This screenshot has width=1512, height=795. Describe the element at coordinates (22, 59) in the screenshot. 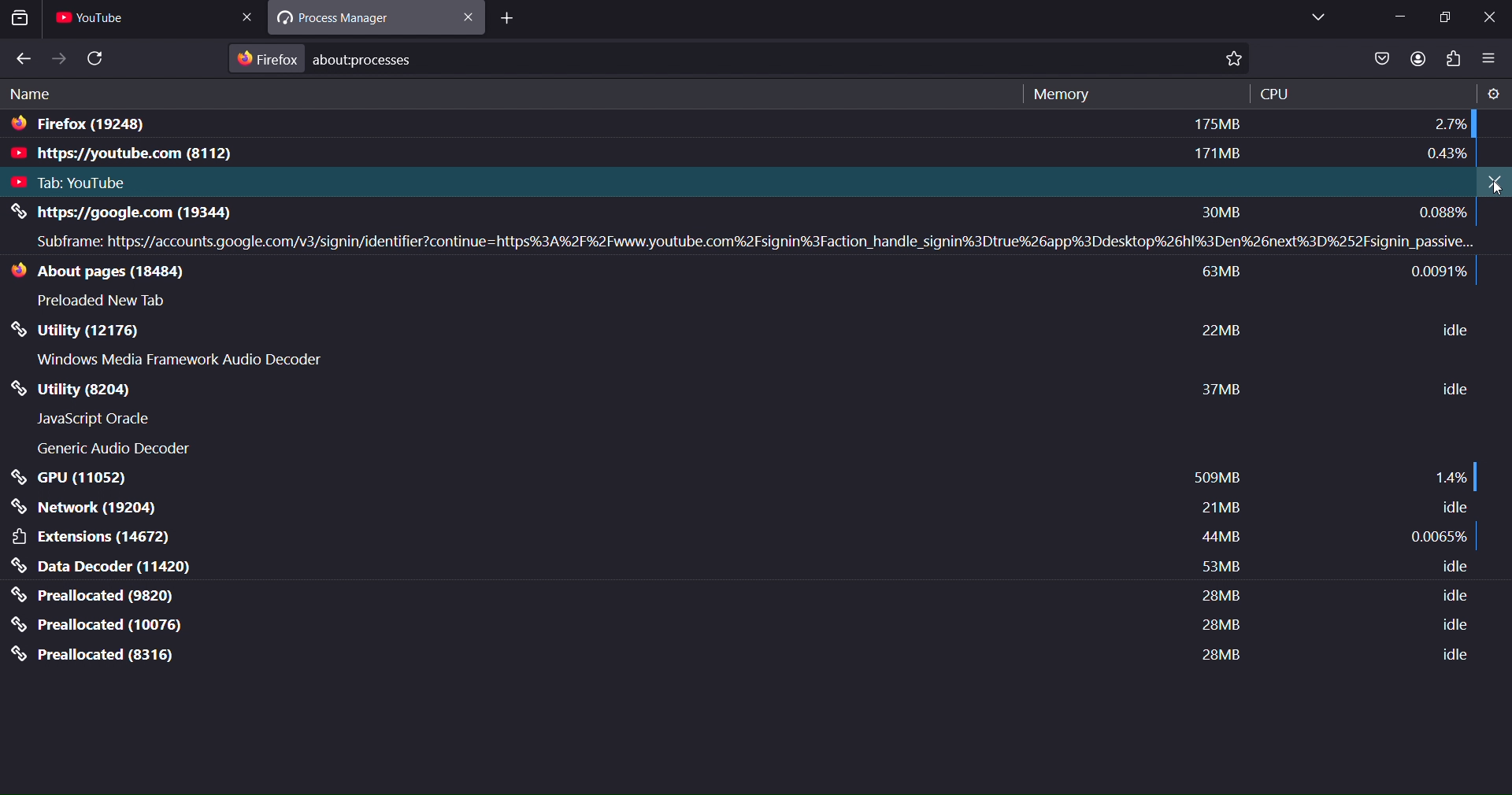

I see `go back one page` at that location.